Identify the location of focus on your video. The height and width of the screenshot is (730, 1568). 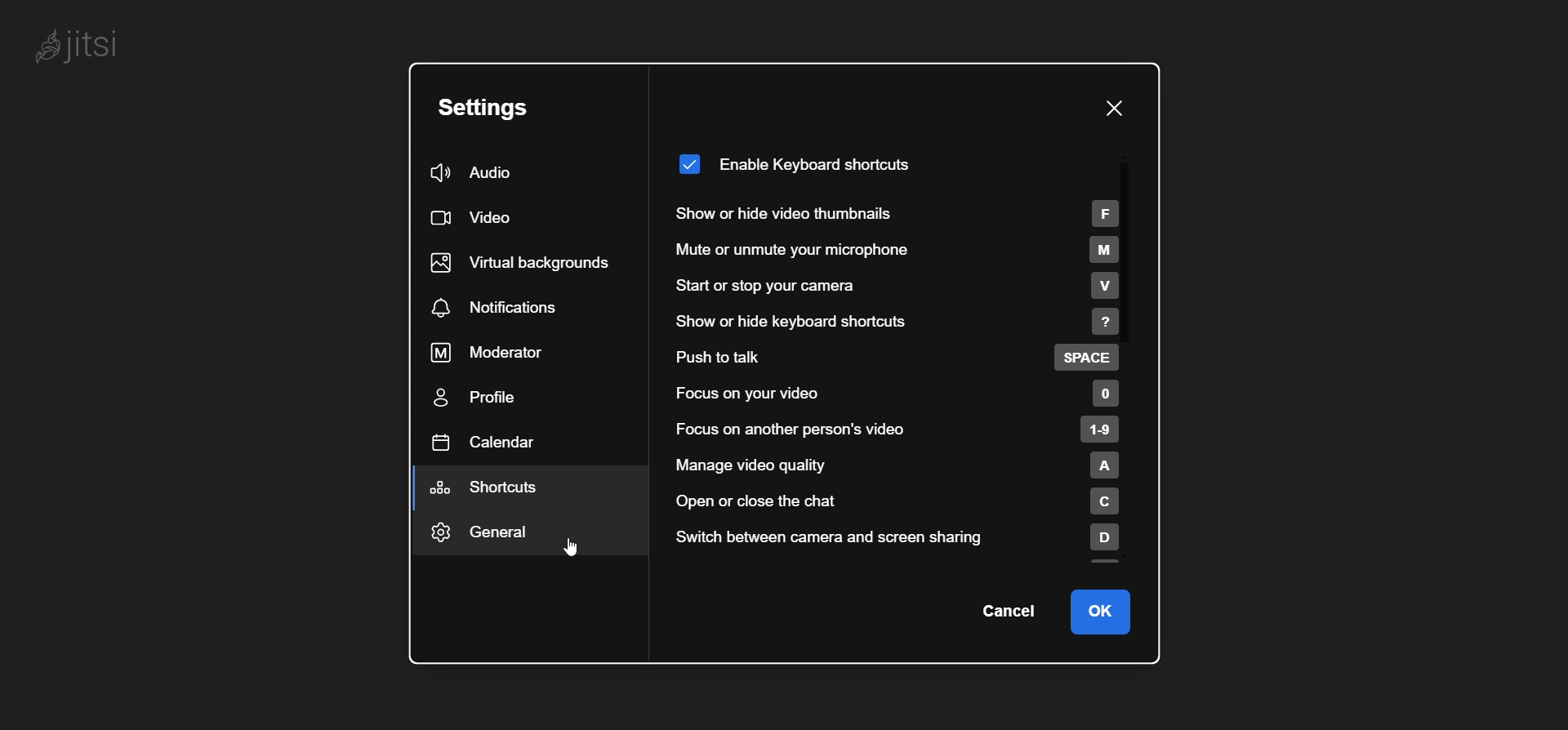
(895, 394).